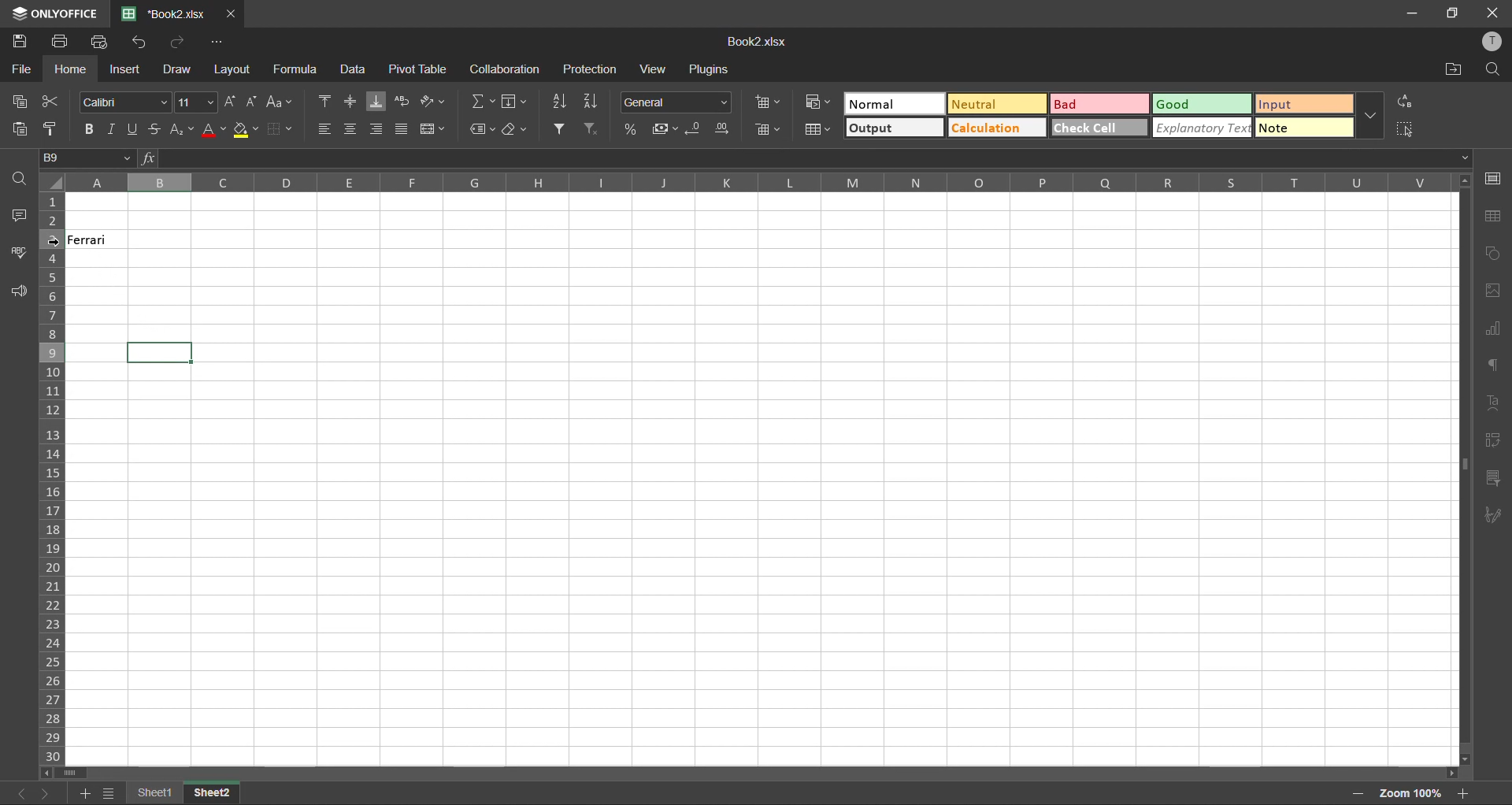 The height and width of the screenshot is (805, 1512). Describe the element at coordinates (711, 72) in the screenshot. I see `plugins` at that location.